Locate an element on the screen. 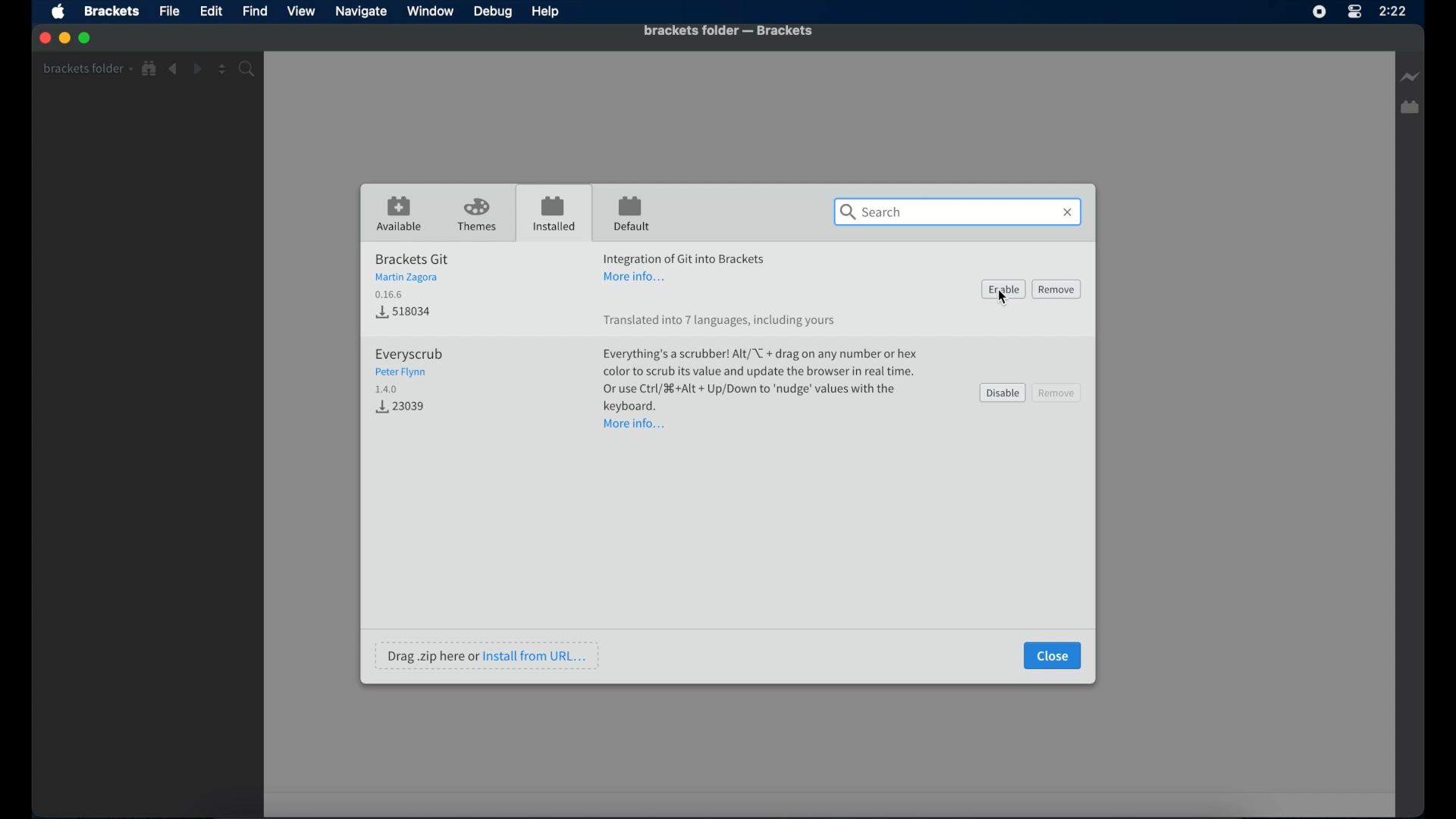  backward is located at coordinates (174, 69).